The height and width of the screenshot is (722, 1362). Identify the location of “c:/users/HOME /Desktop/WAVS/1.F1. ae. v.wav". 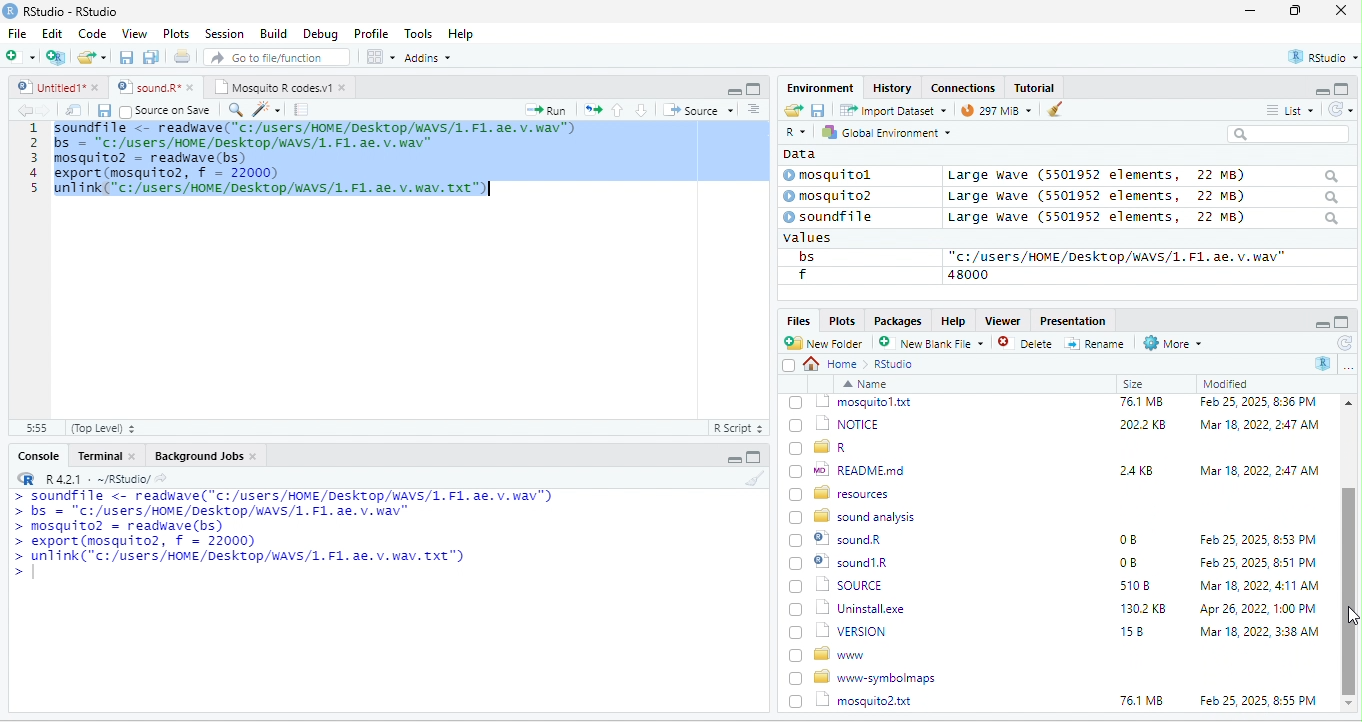
(1117, 256).